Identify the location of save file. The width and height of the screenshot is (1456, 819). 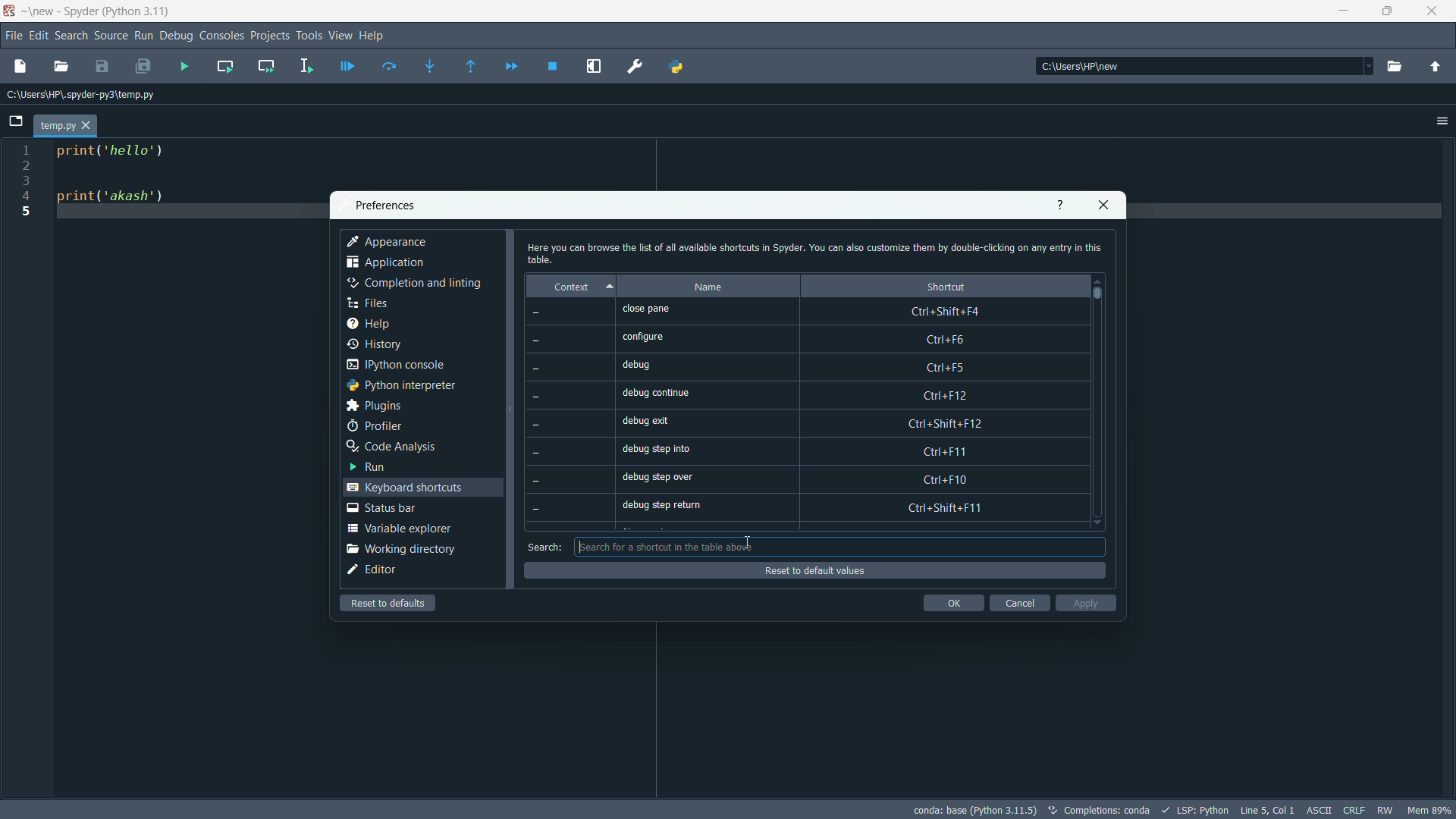
(102, 67).